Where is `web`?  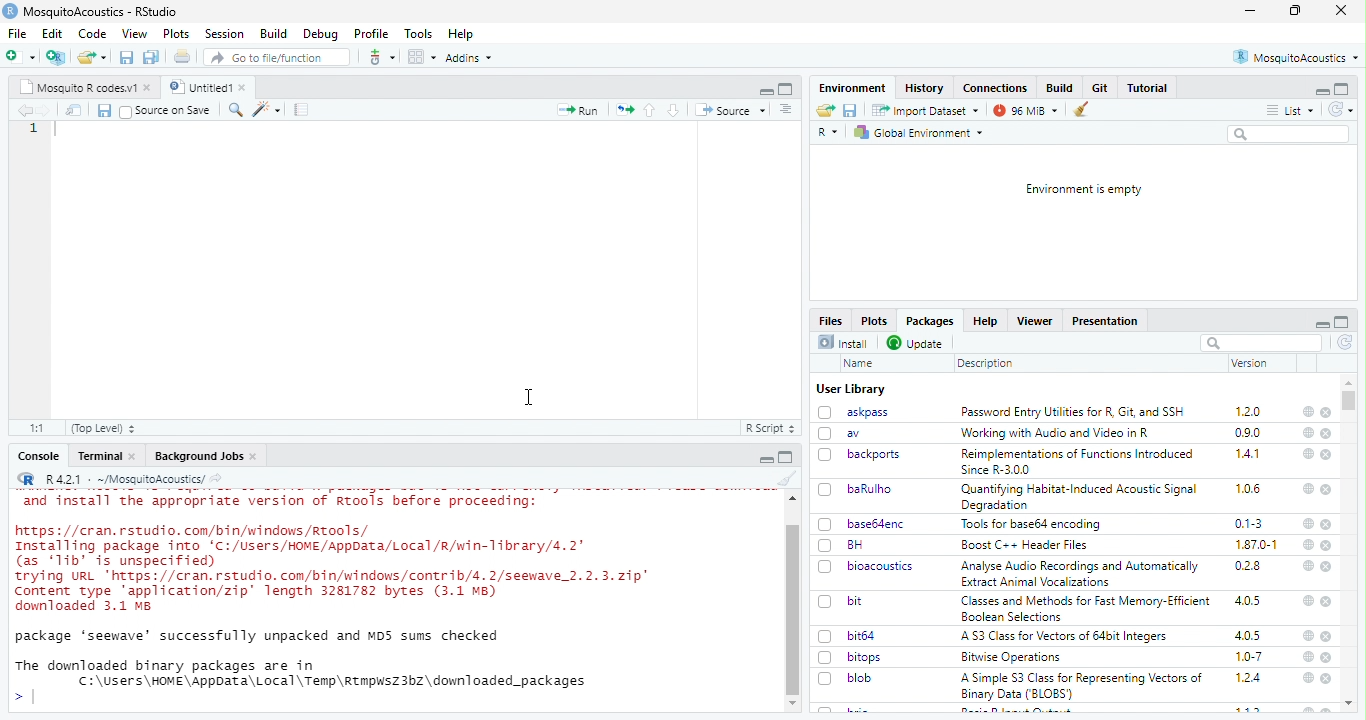
web is located at coordinates (1310, 433).